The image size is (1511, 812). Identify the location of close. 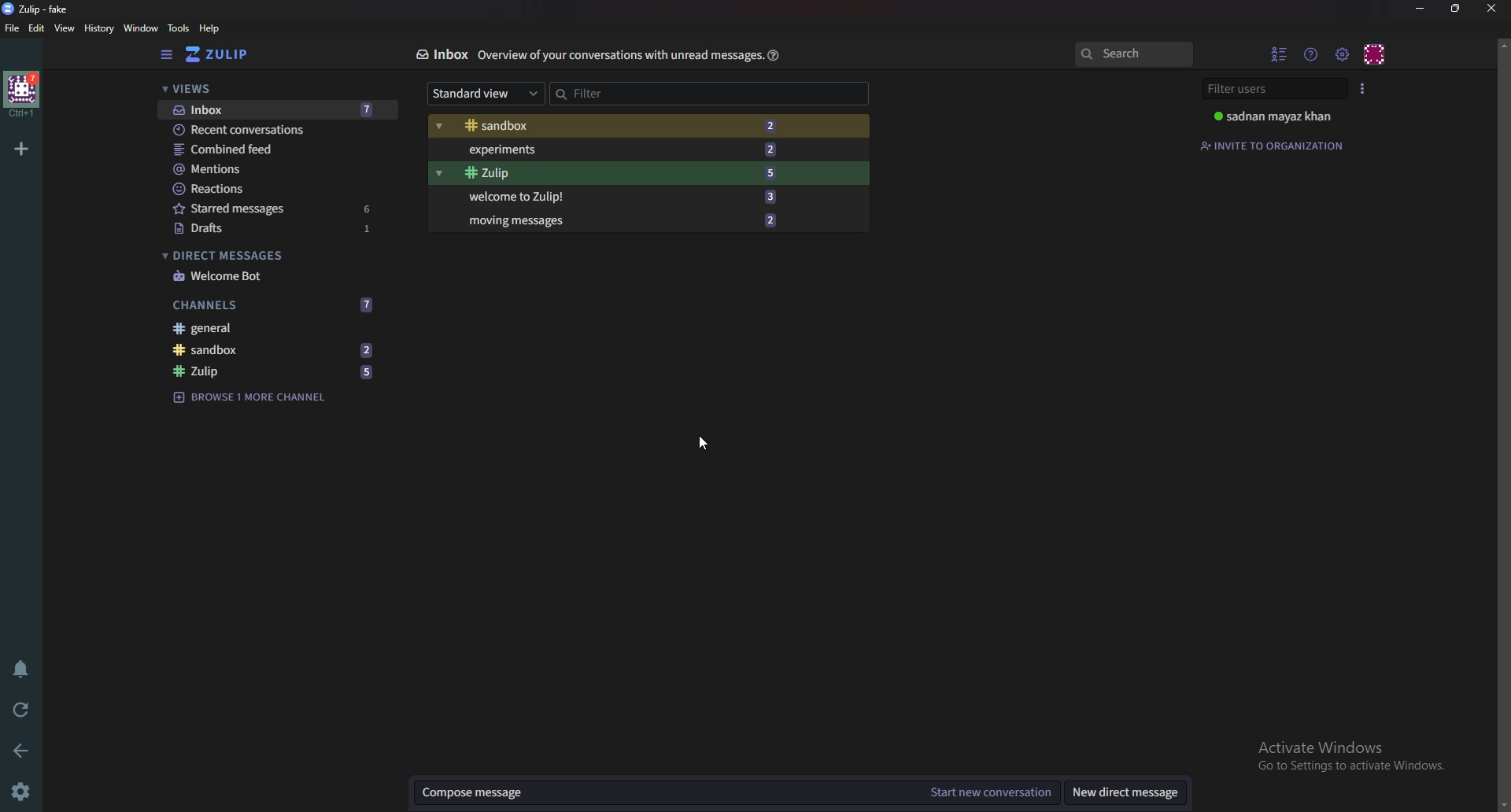
(1491, 9).